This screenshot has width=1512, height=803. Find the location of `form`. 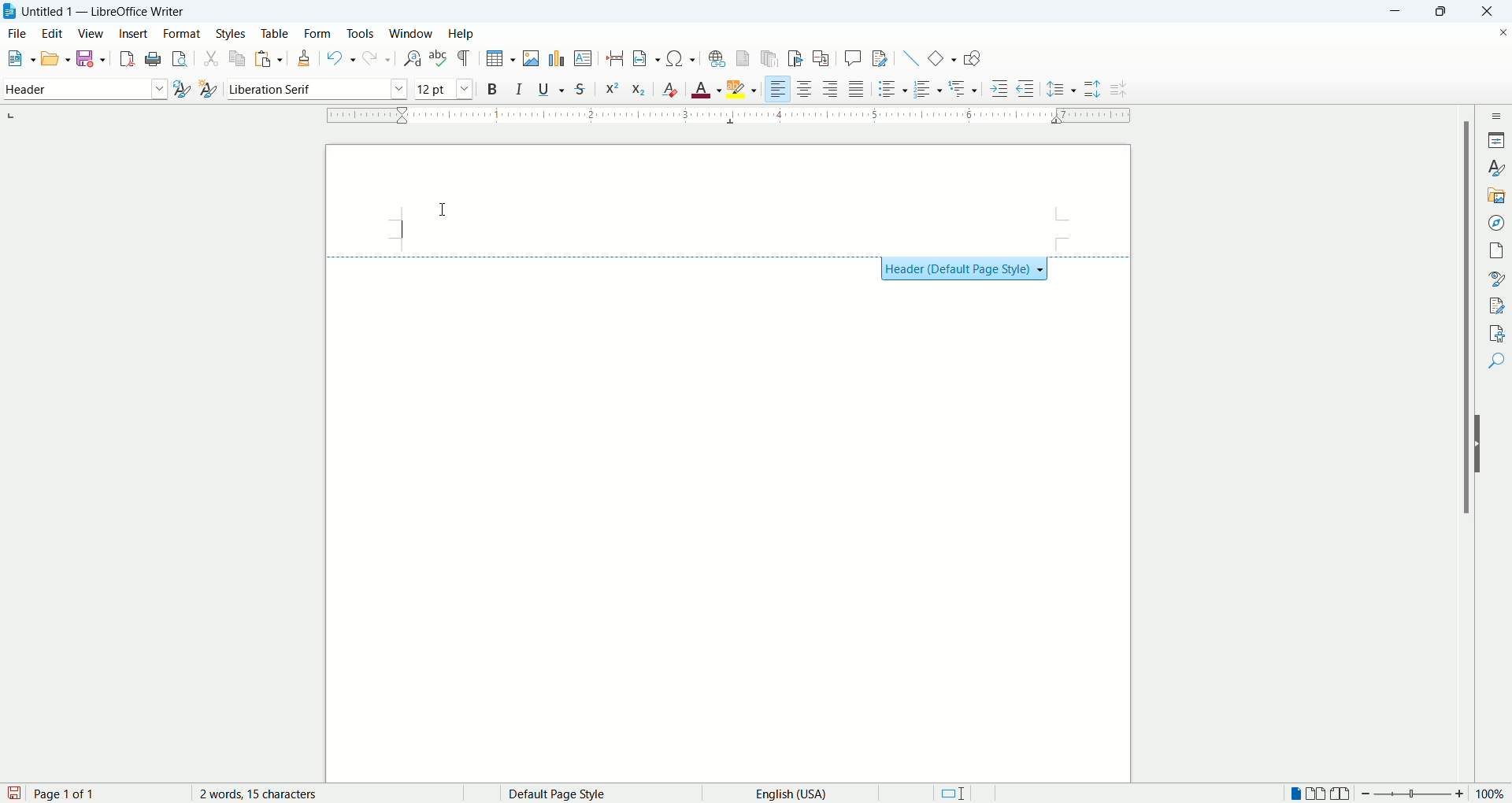

form is located at coordinates (316, 33).